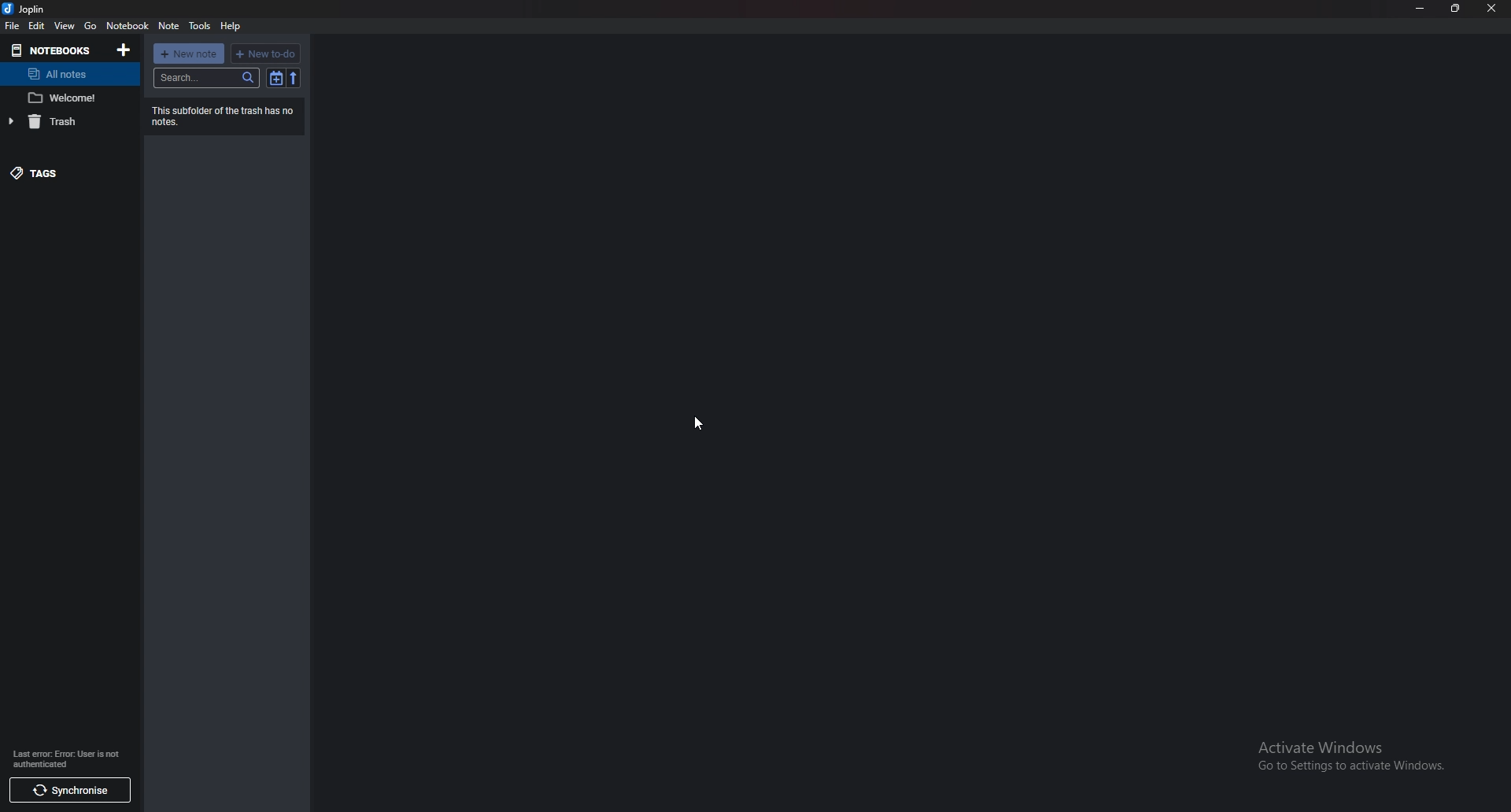  What do you see at coordinates (225, 116) in the screenshot?
I see `‘This subfolder of the trash has no notes.` at bounding box center [225, 116].